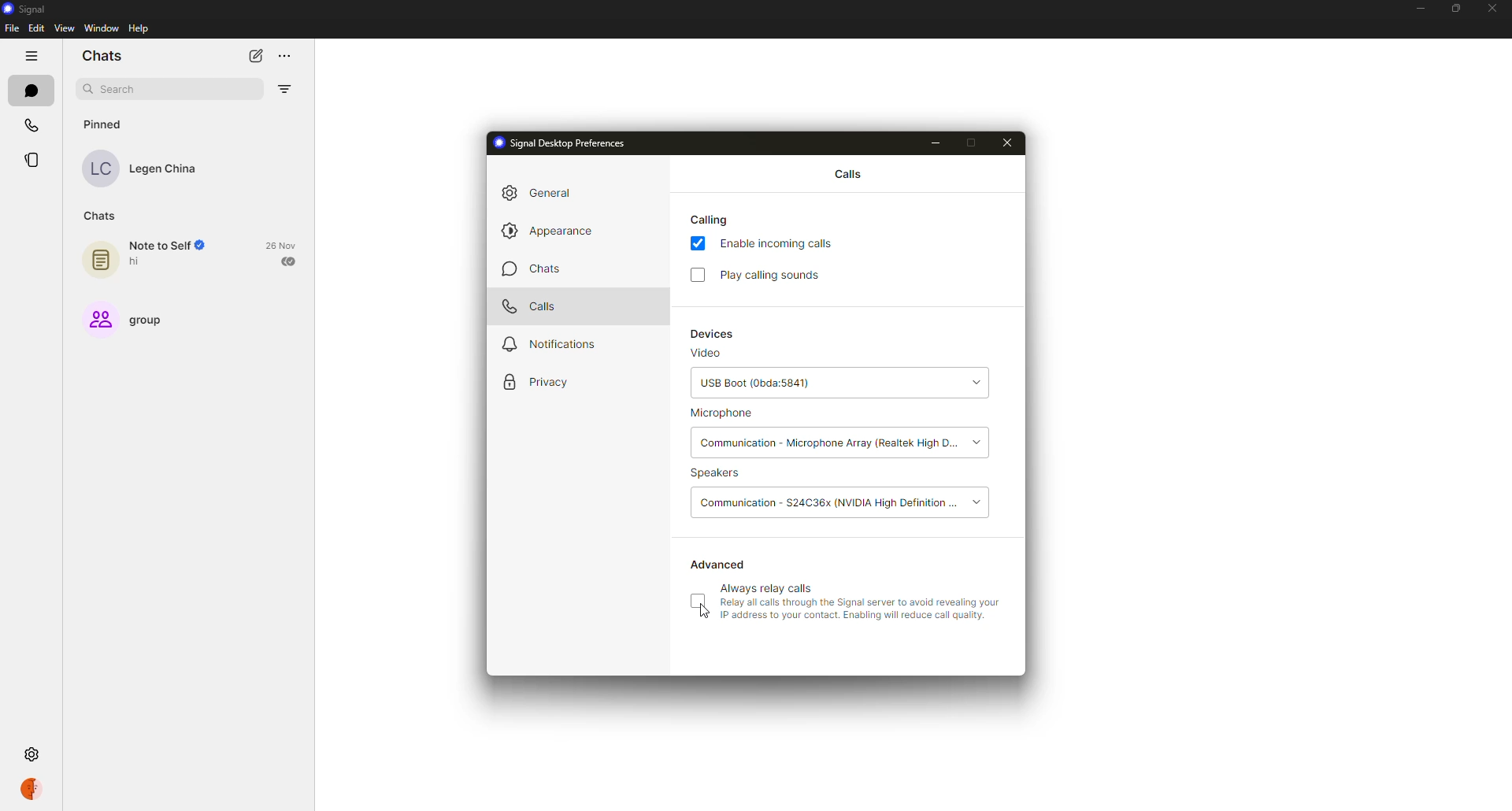 Image resolution: width=1512 pixels, height=811 pixels. Describe the element at coordinates (101, 29) in the screenshot. I see `window` at that location.